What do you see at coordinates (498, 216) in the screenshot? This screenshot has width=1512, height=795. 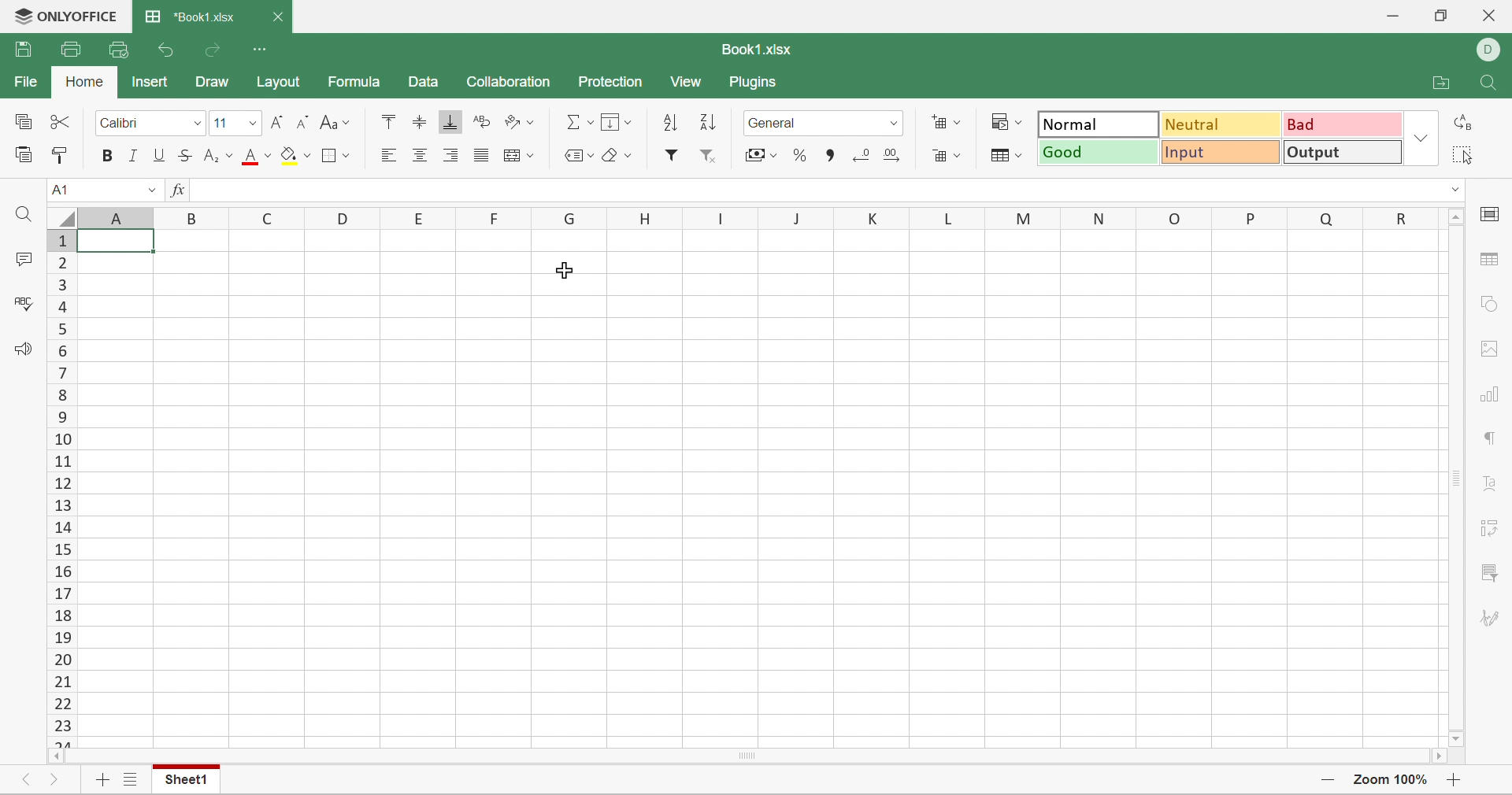 I see `F` at bounding box center [498, 216].